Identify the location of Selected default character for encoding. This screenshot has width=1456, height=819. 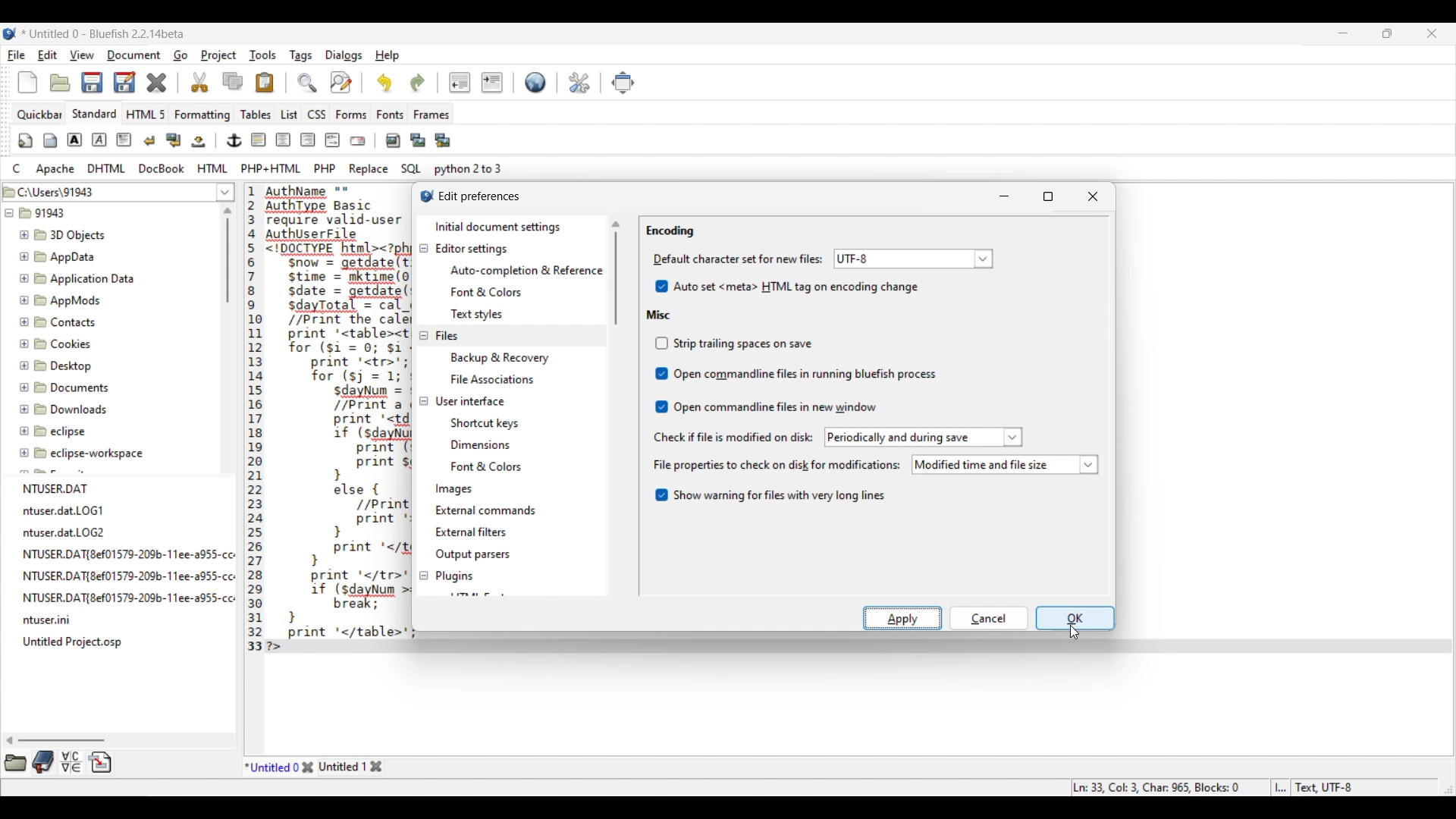
(912, 258).